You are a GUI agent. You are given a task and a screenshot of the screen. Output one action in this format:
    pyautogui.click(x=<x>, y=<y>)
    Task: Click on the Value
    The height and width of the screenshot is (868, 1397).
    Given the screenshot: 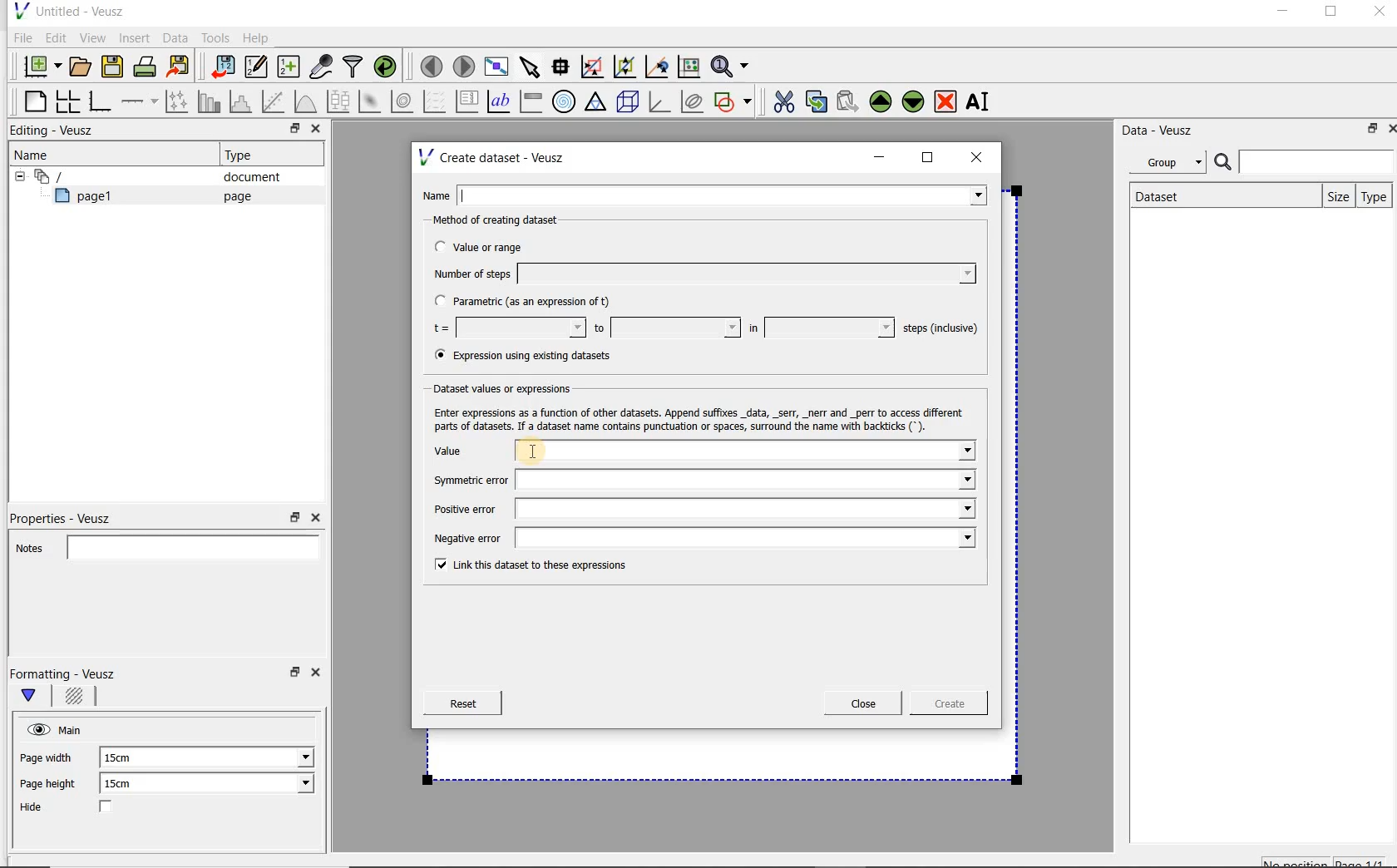 What is the action you would take?
    pyautogui.click(x=703, y=452)
    